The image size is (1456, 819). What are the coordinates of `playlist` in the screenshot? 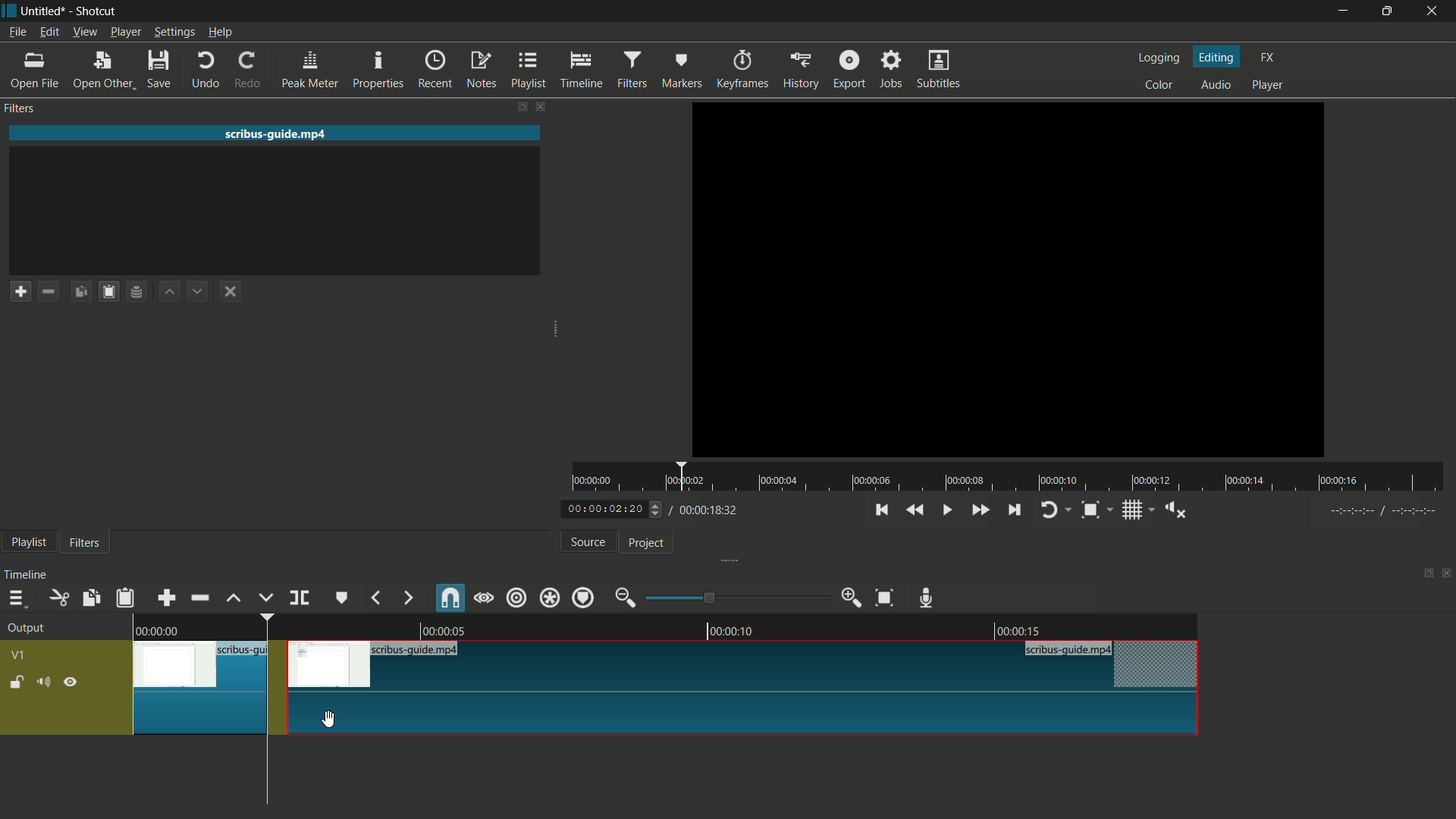 It's located at (26, 543).